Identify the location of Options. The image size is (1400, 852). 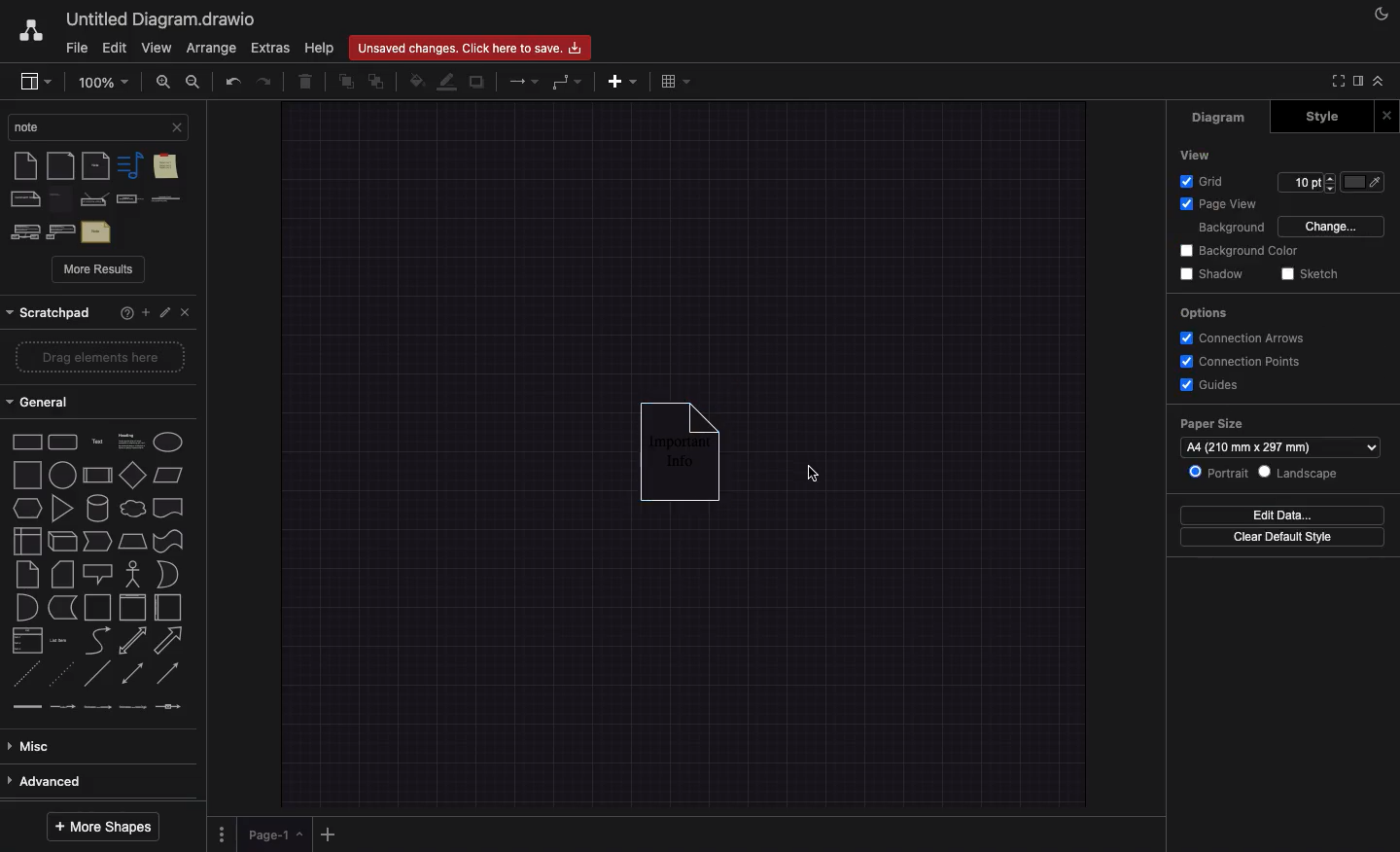
(222, 835).